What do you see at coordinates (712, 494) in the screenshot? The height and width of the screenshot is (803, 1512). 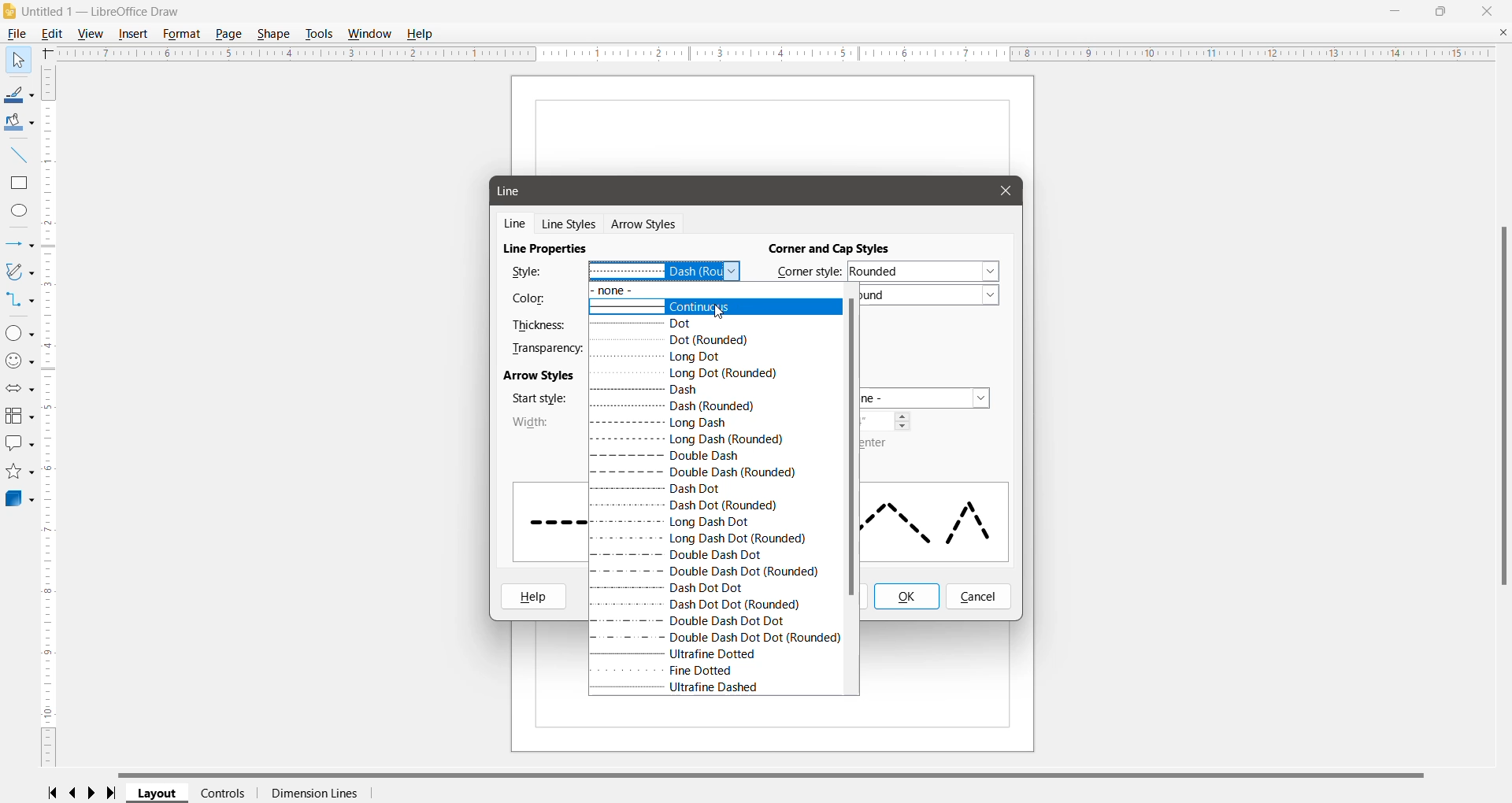 I see `Available Line Styles` at bounding box center [712, 494].